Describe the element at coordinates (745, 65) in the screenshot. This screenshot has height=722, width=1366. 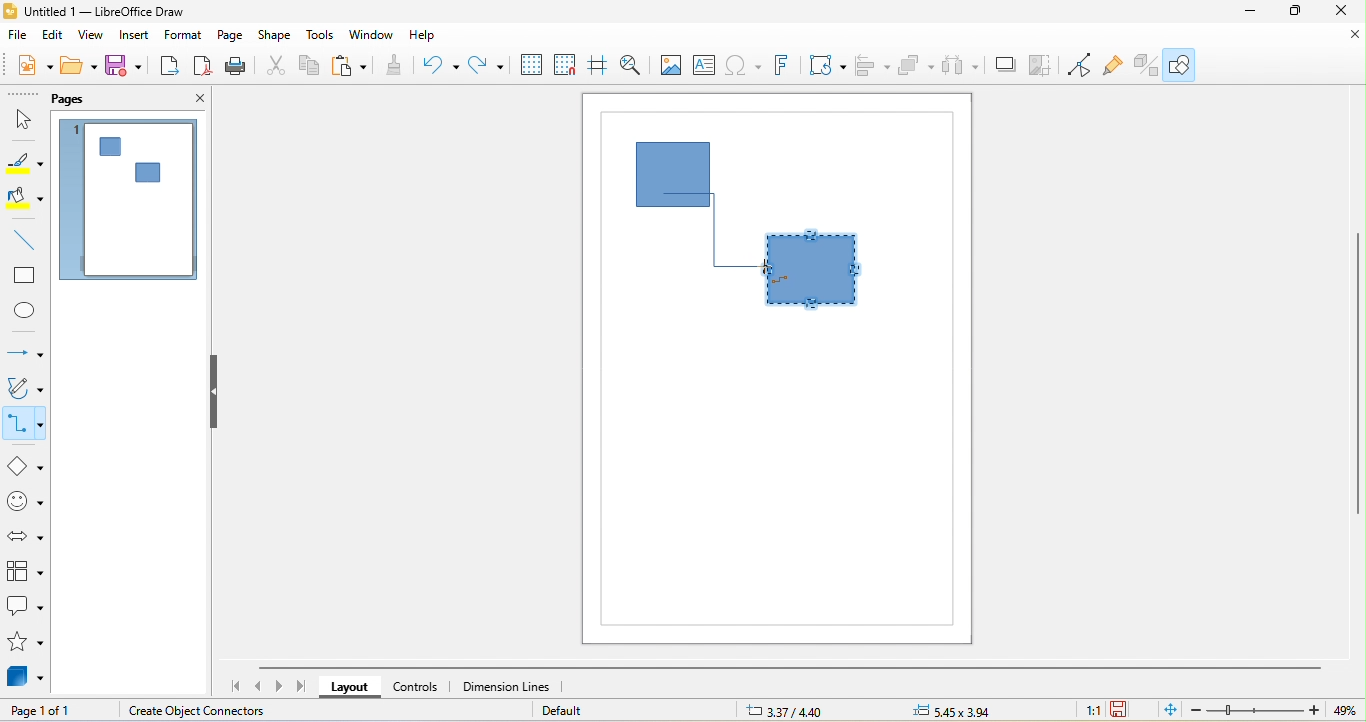
I see `special character` at that location.